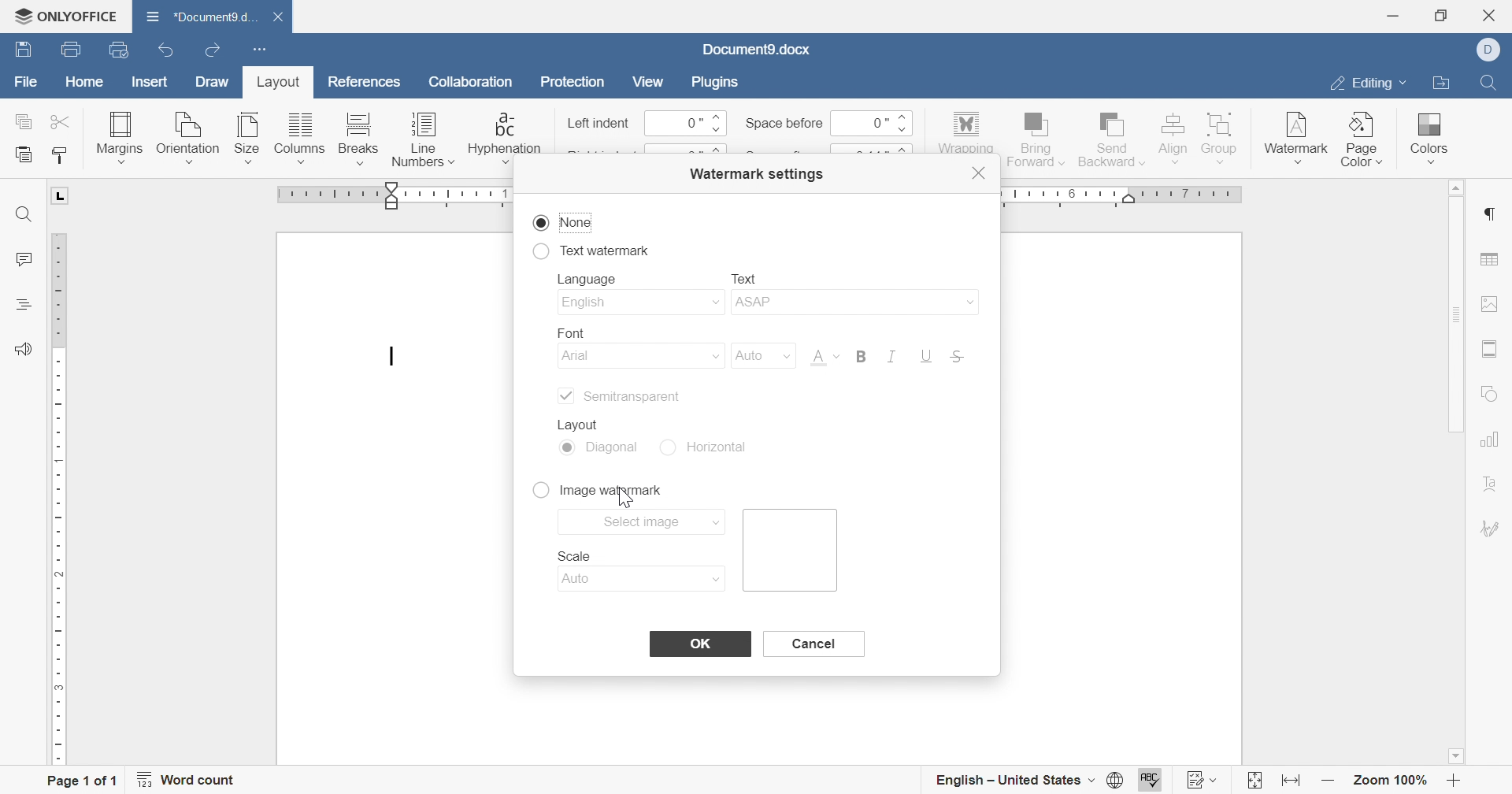 The width and height of the screenshot is (1512, 794). I want to click on references, so click(366, 80).